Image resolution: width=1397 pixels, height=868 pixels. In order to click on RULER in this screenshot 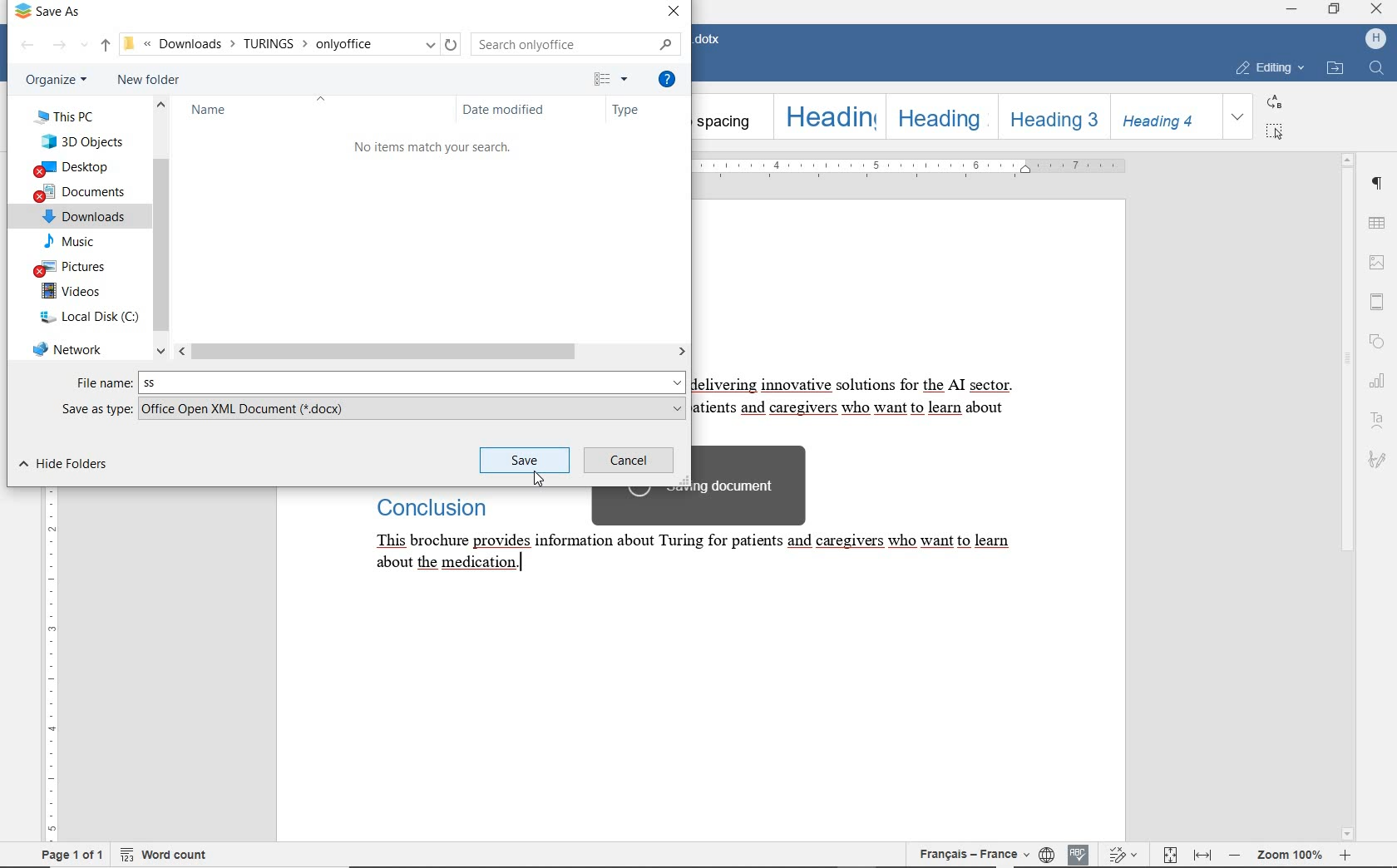, I will do `click(48, 668)`.